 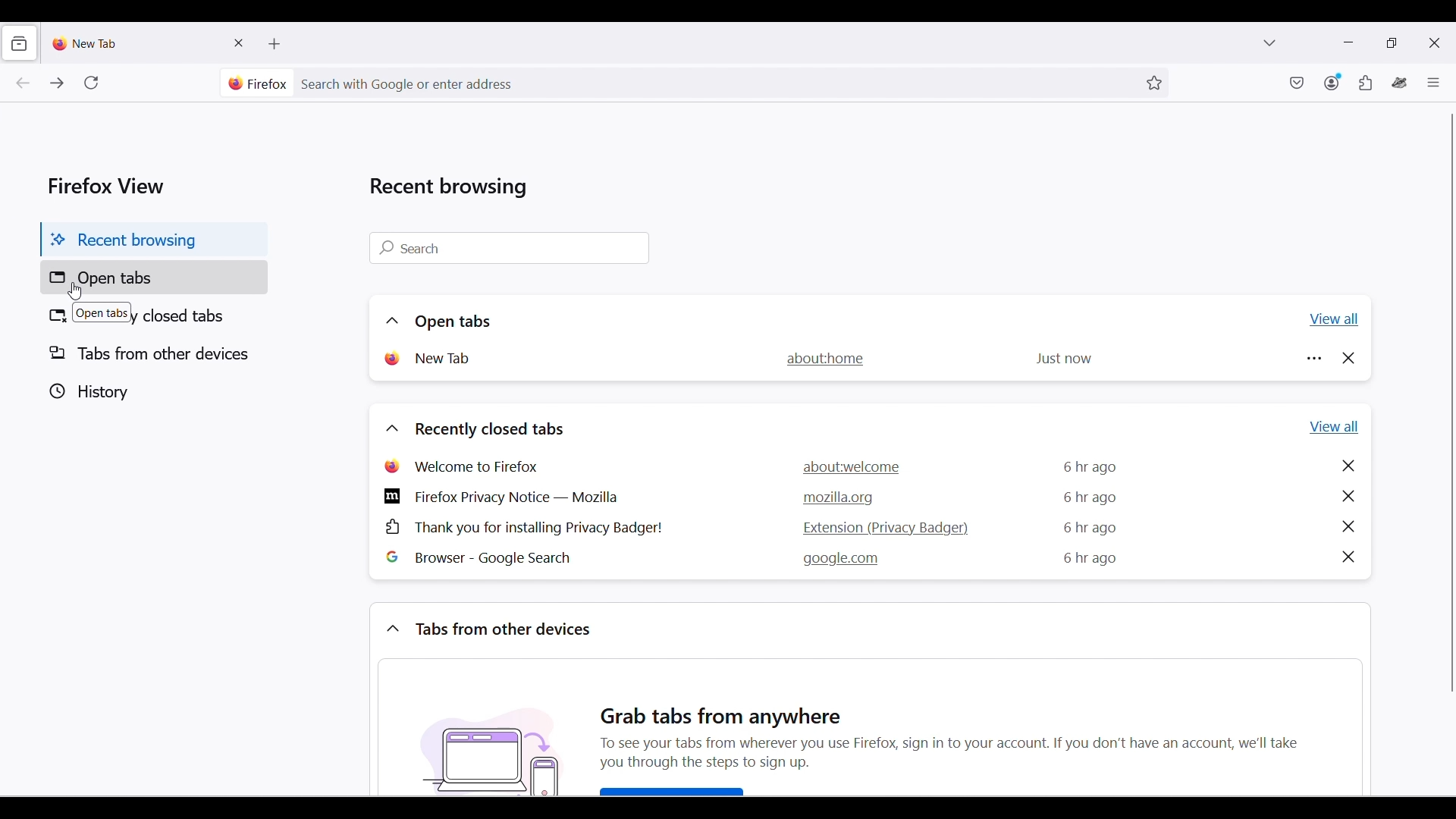 What do you see at coordinates (1314, 358) in the screenshot?
I see `Options for new tab` at bounding box center [1314, 358].